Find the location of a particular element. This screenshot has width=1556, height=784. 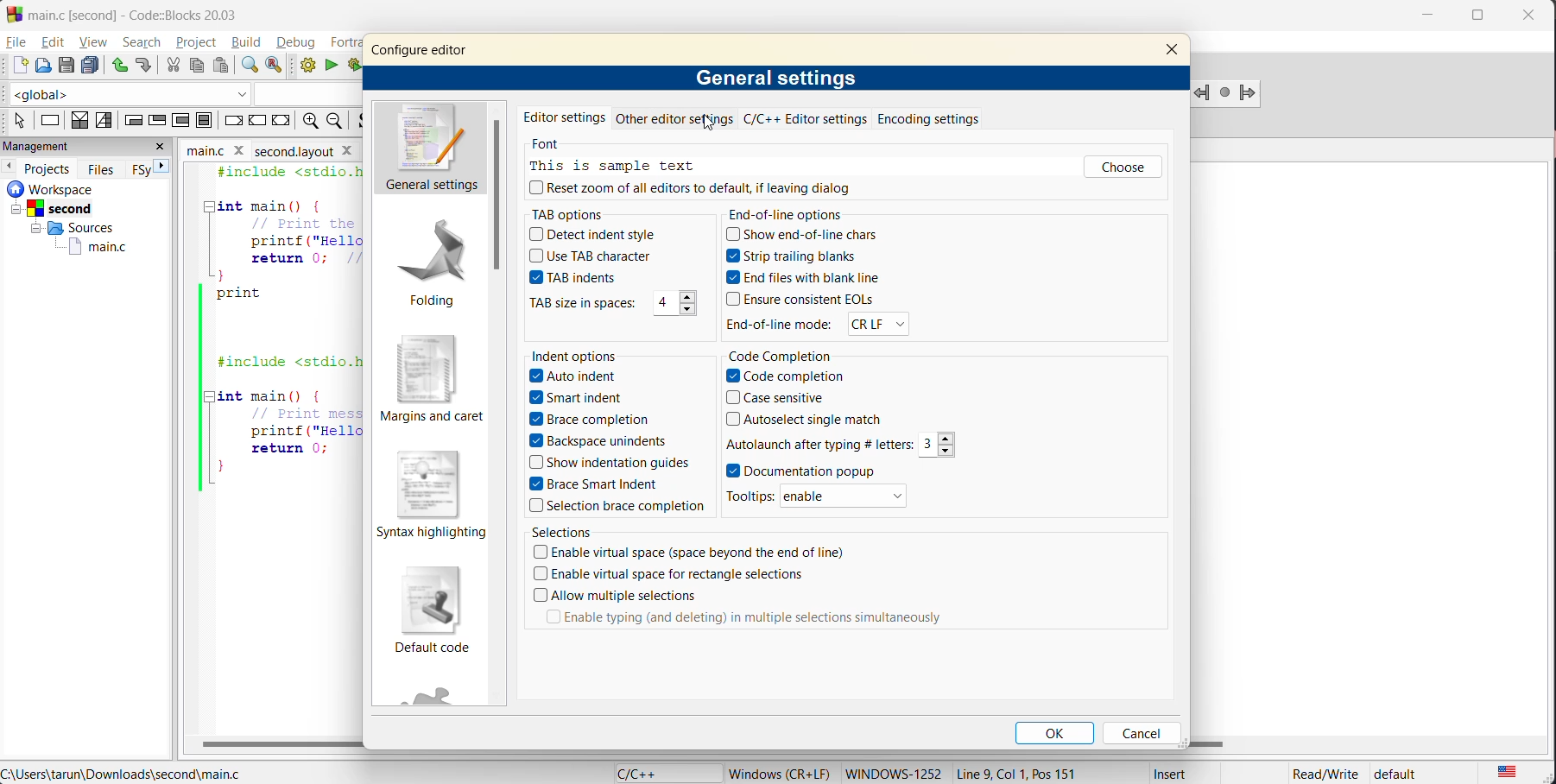

undo is located at coordinates (117, 64).